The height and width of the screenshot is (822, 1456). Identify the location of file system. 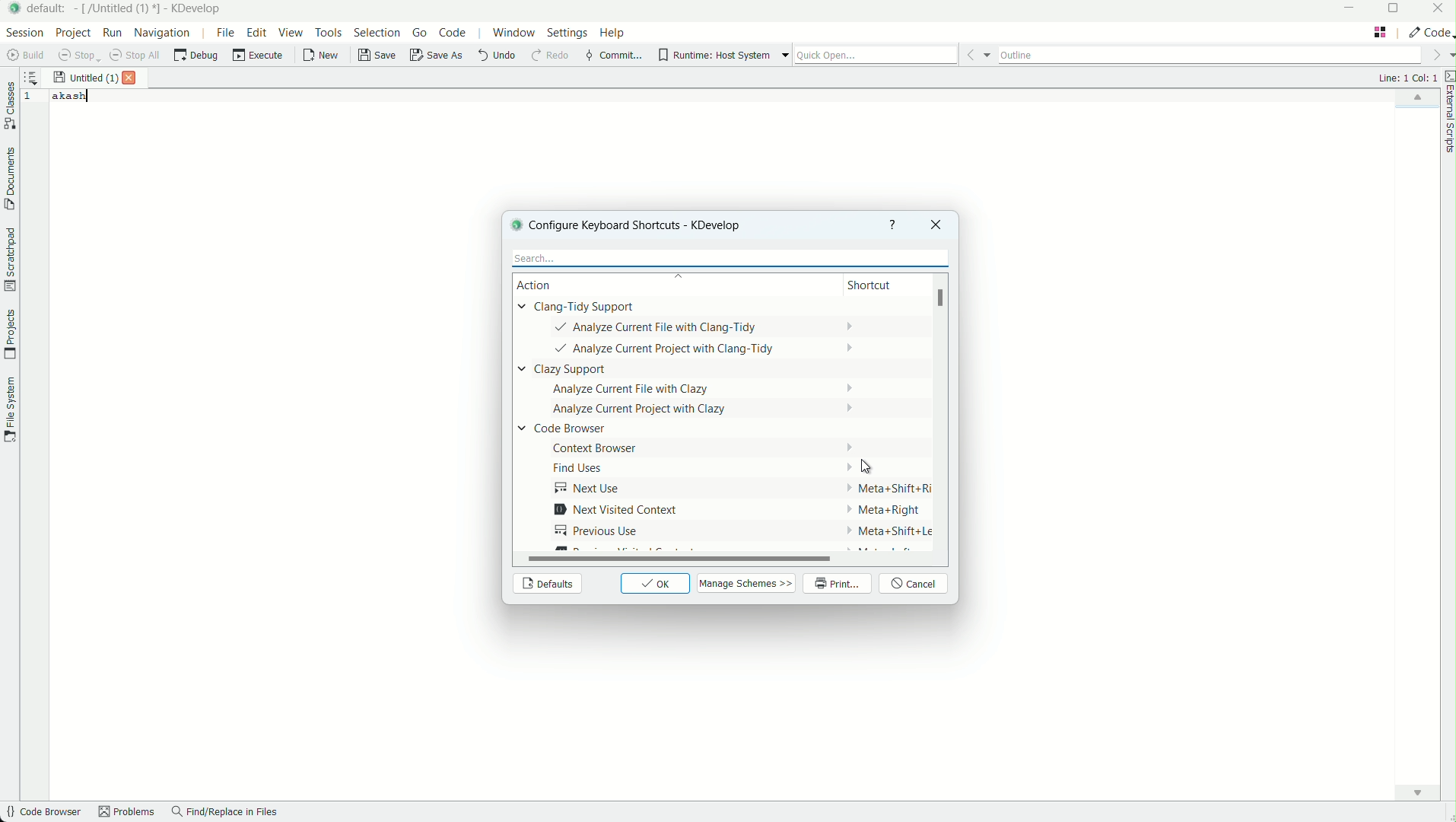
(9, 407).